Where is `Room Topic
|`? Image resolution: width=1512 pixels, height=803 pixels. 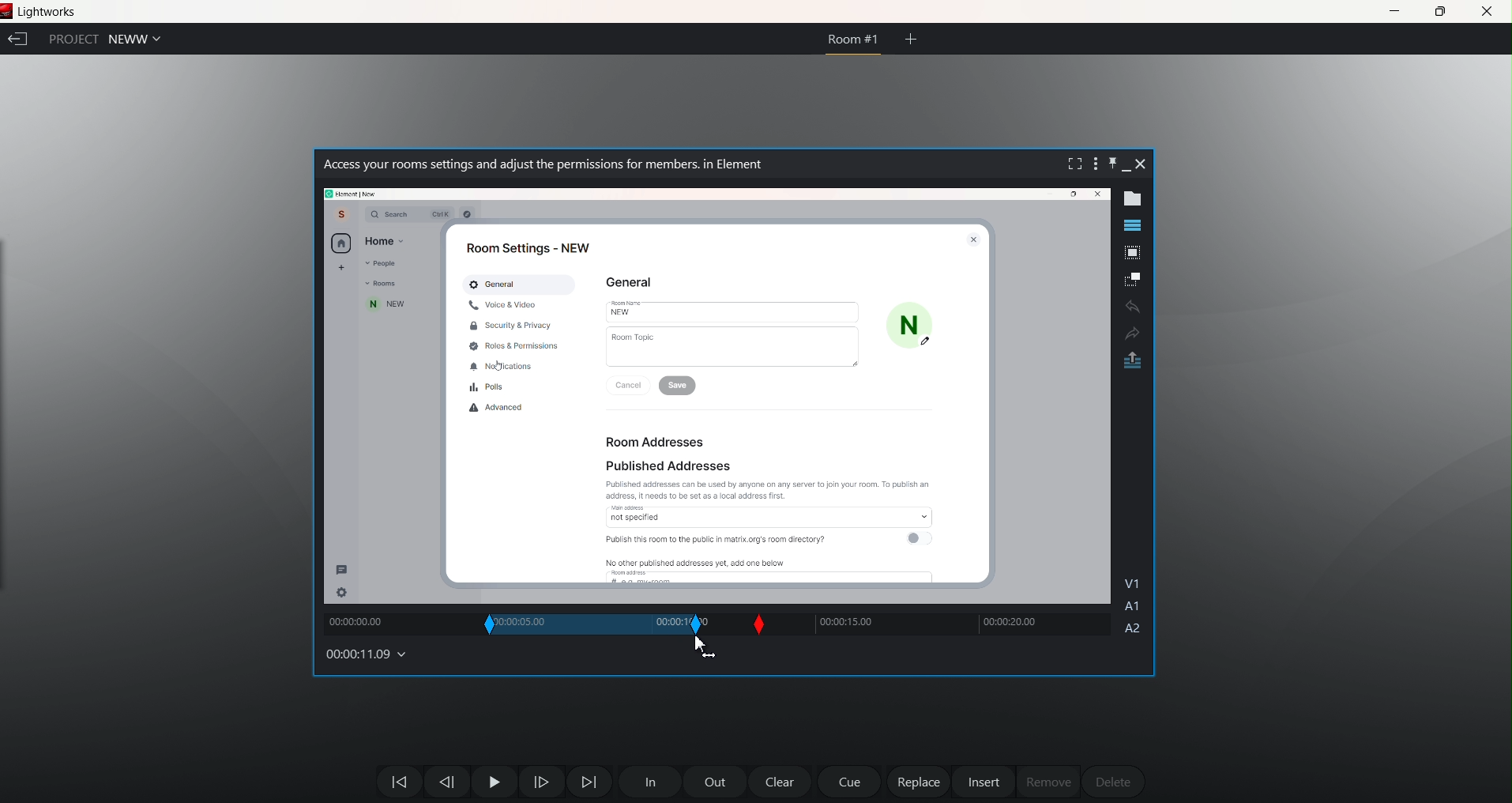
Room Topic
| is located at coordinates (733, 347).